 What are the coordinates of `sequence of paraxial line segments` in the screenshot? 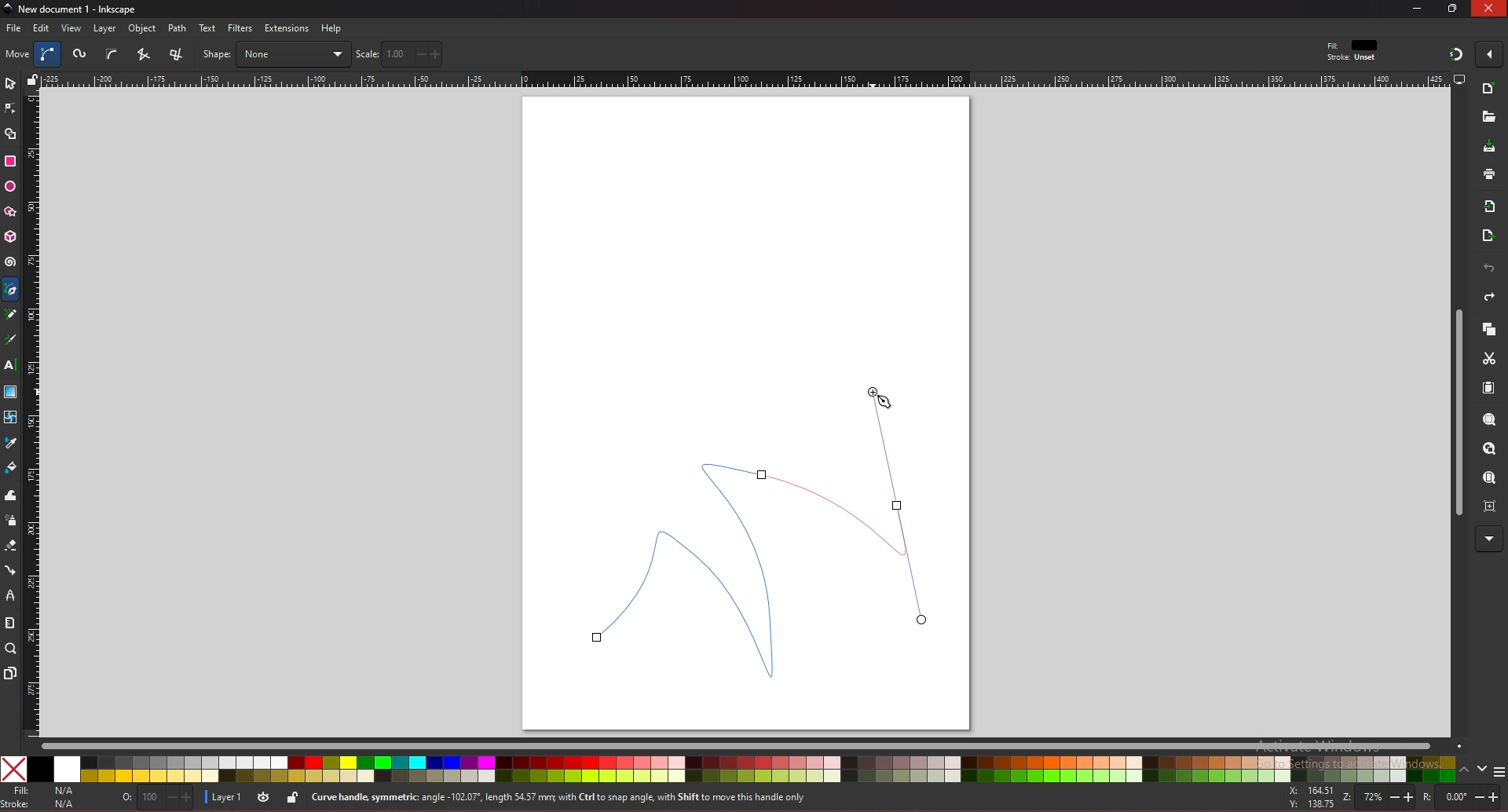 It's located at (178, 55).